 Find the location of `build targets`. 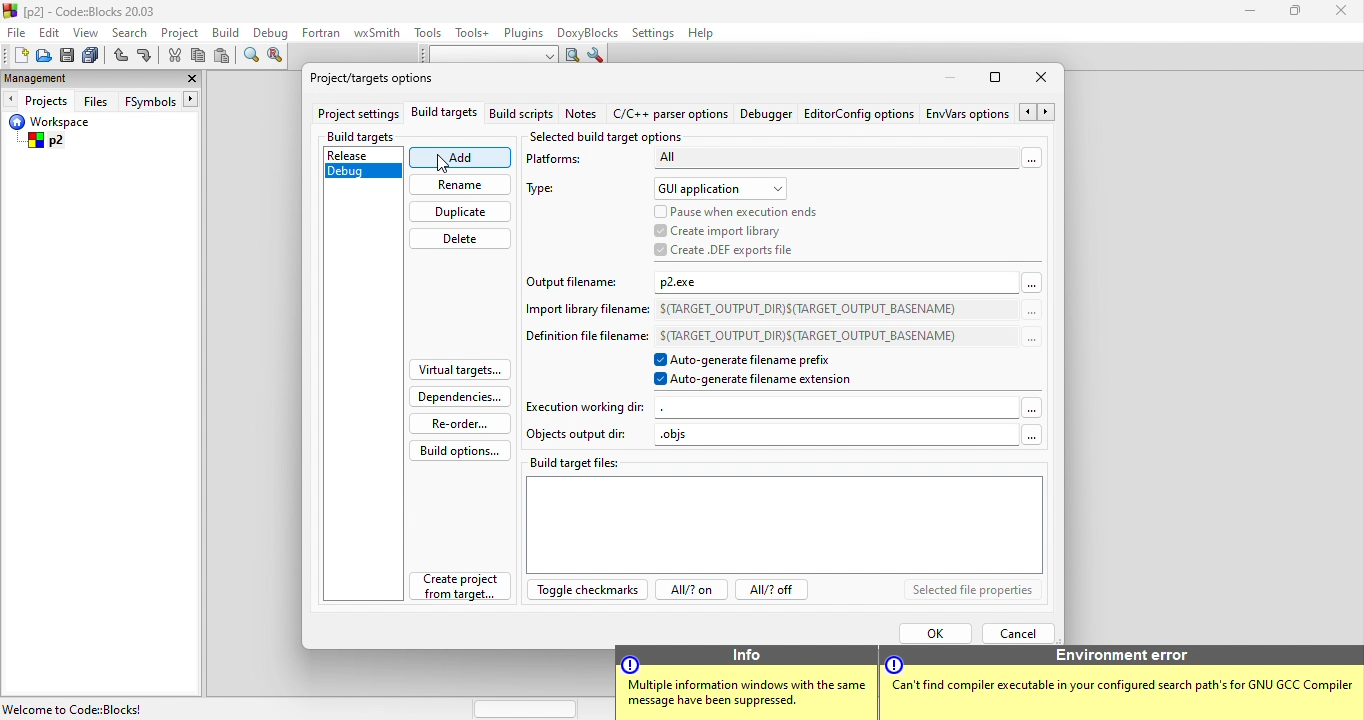

build targets is located at coordinates (377, 134).